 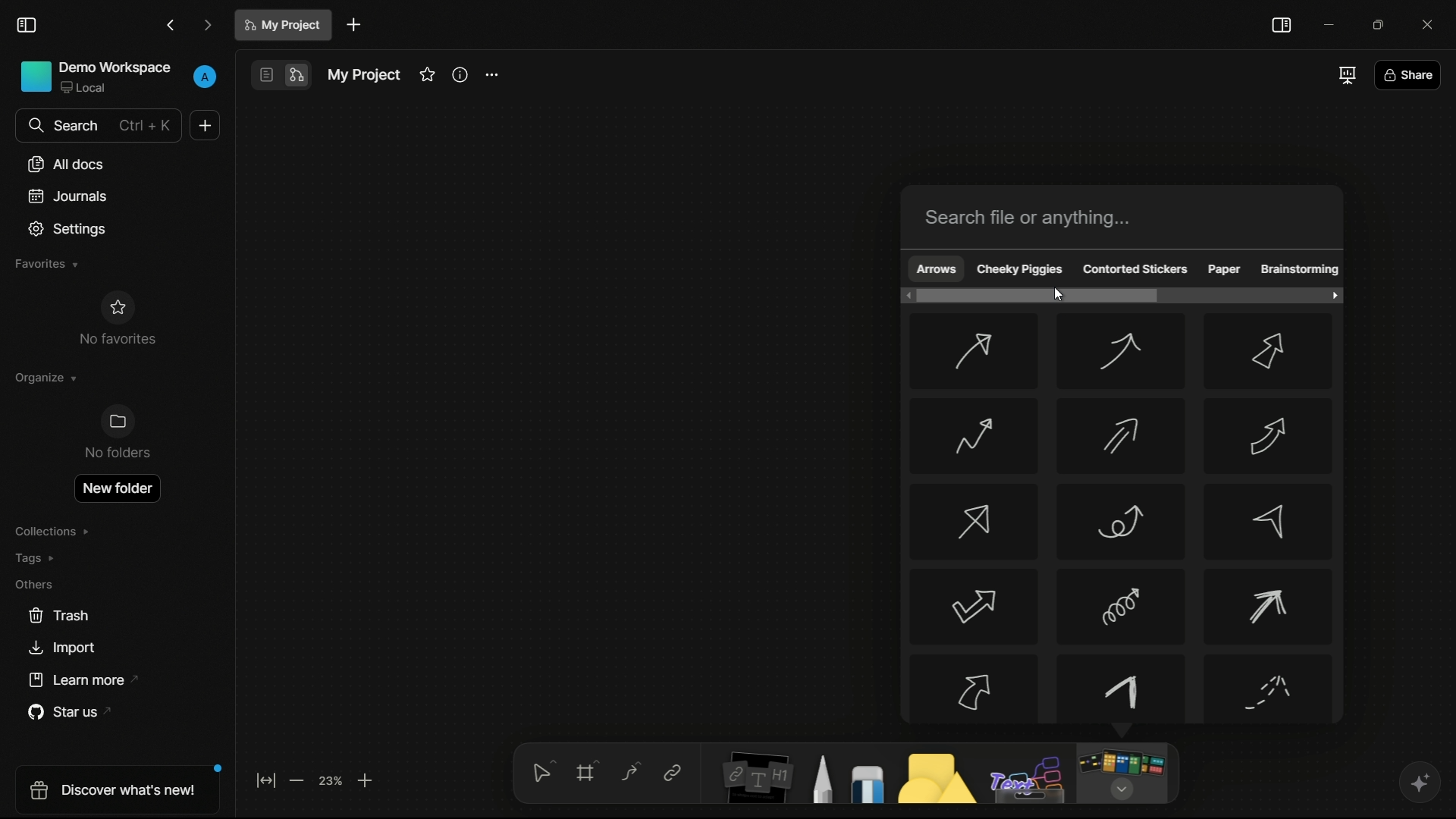 What do you see at coordinates (366, 780) in the screenshot?
I see `zoom in` at bounding box center [366, 780].